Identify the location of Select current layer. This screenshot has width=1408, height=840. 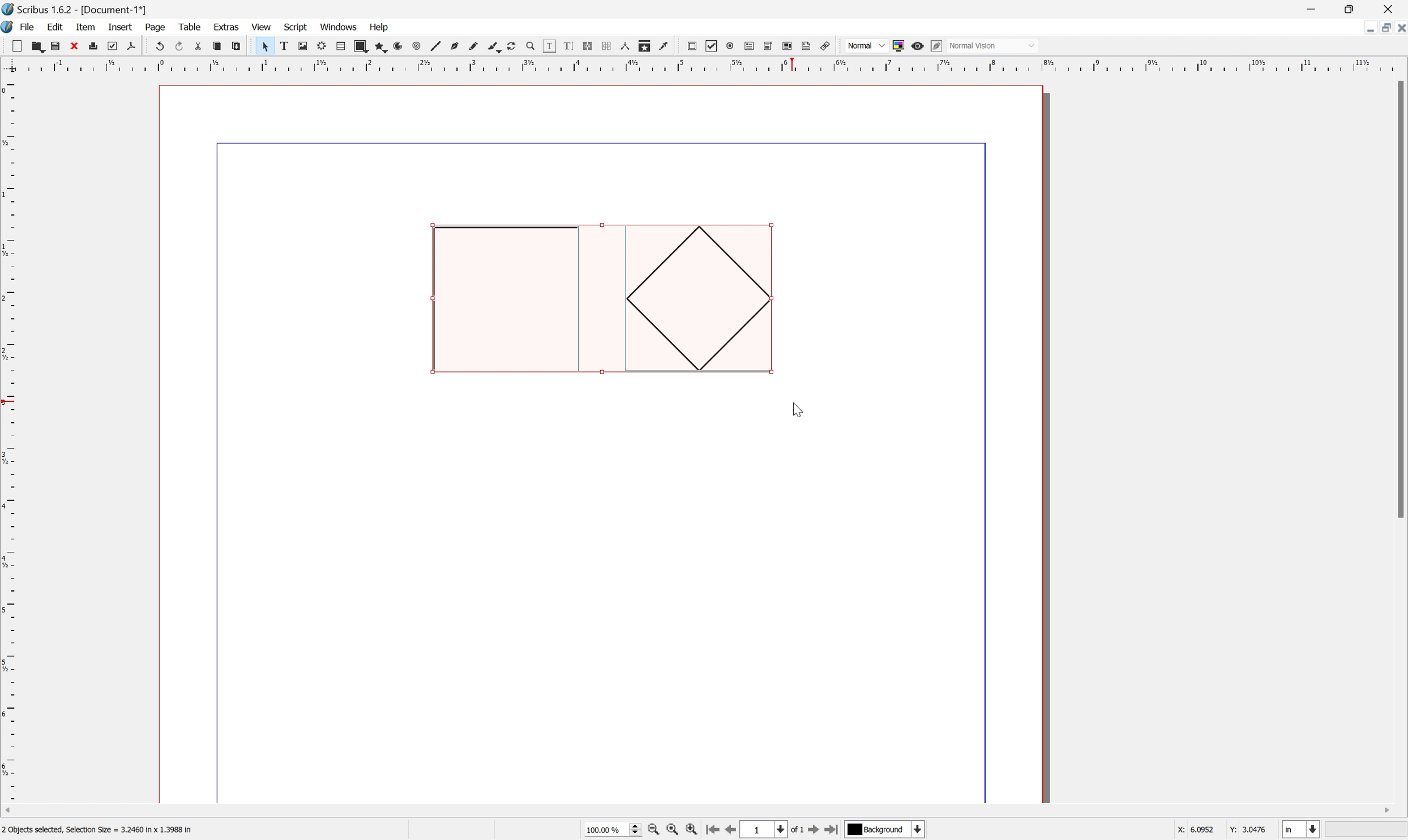
(889, 829).